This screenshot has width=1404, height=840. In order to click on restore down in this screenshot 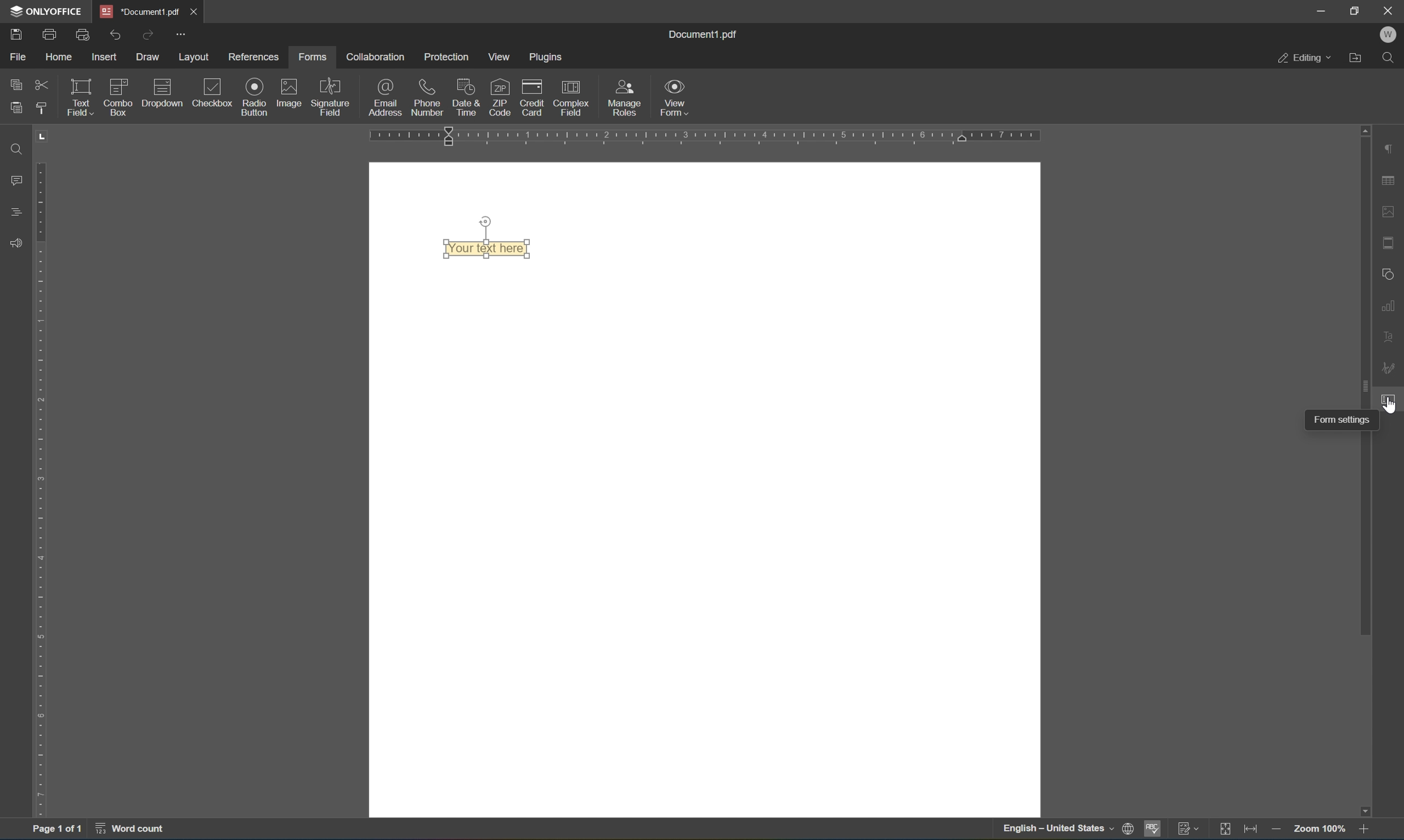, I will do `click(1356, 10)`.